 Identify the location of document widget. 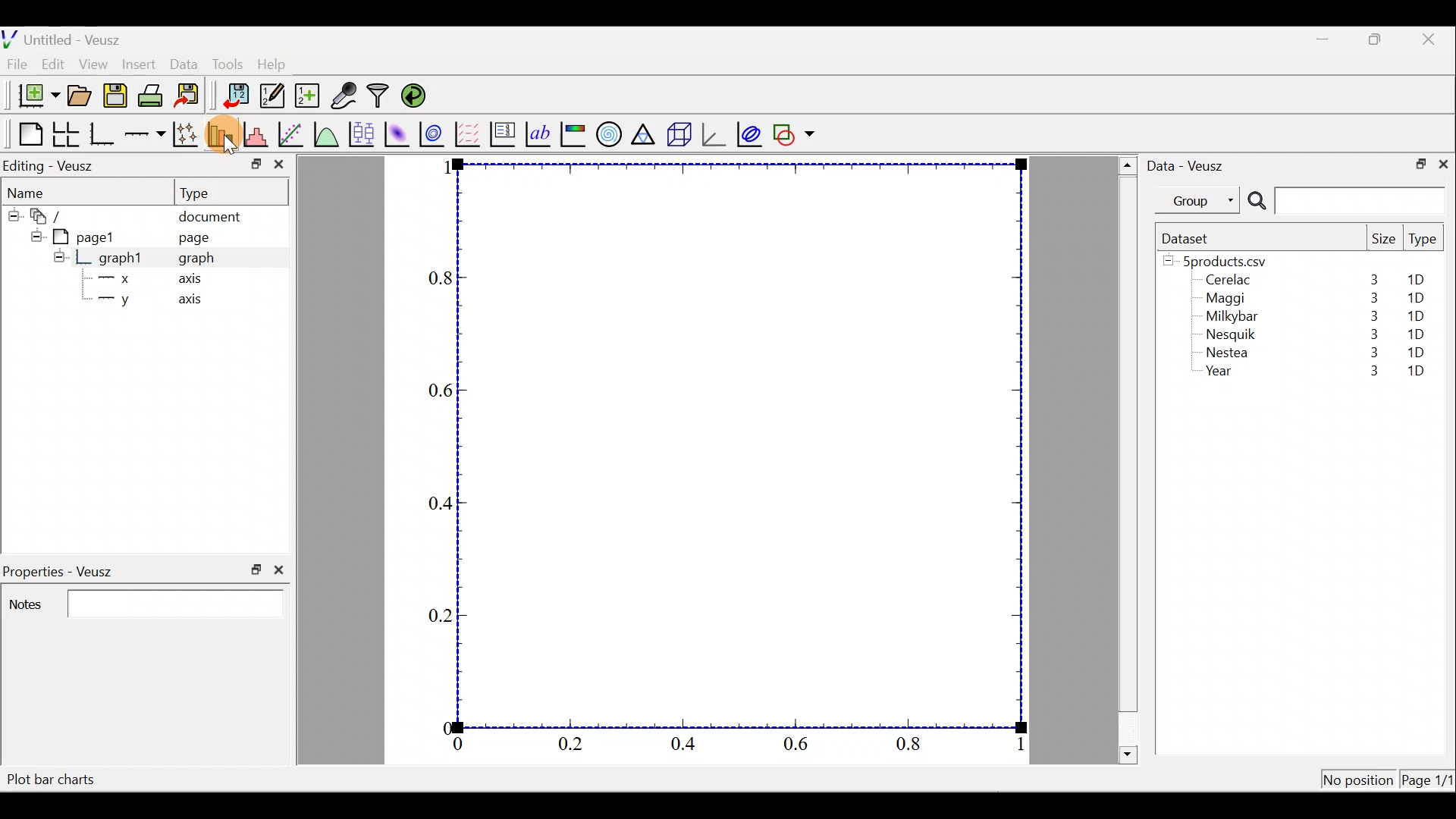
(54, 214).